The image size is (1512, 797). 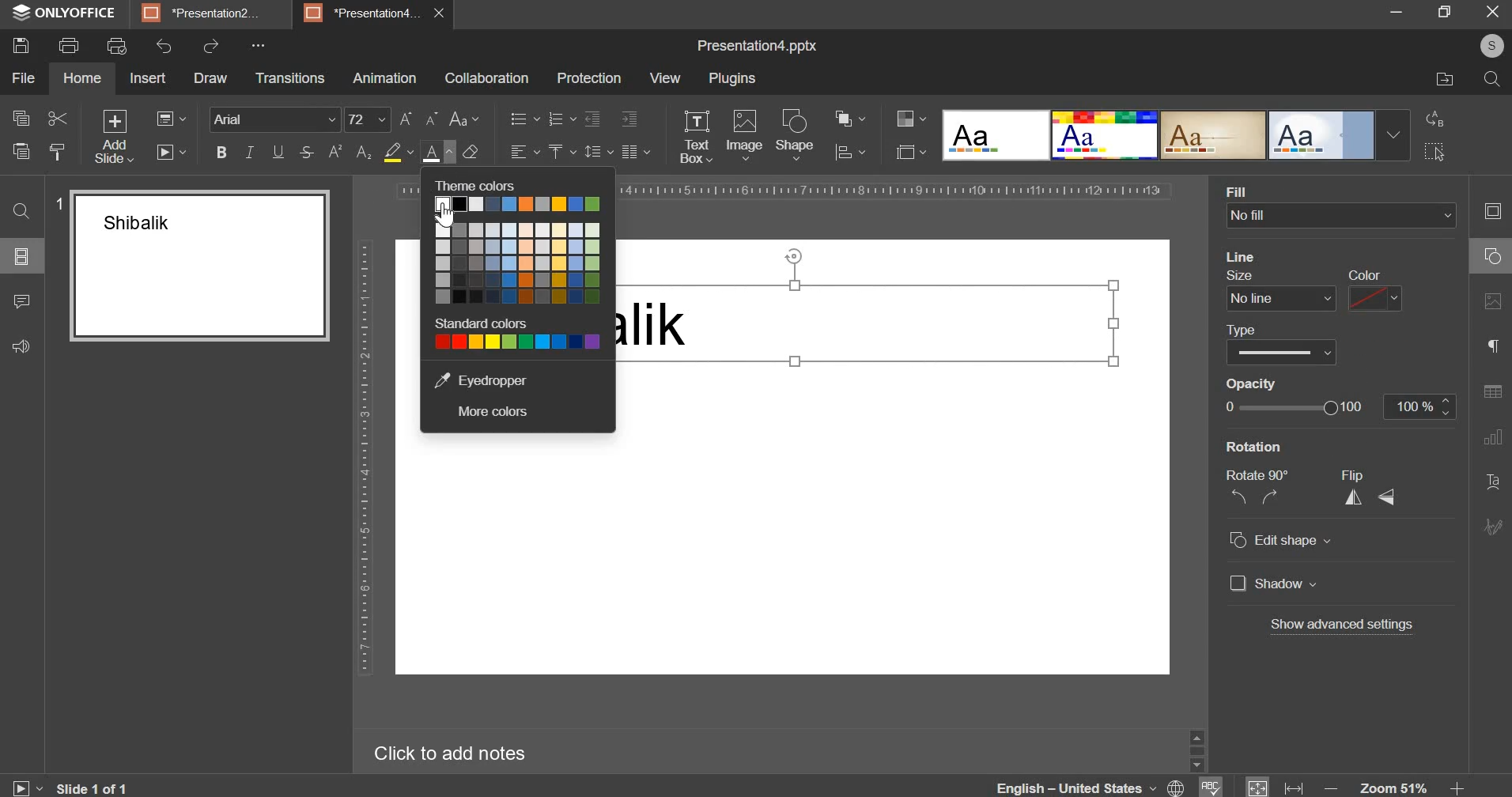 I want to click on vertical, so click(x=1355, y=499).